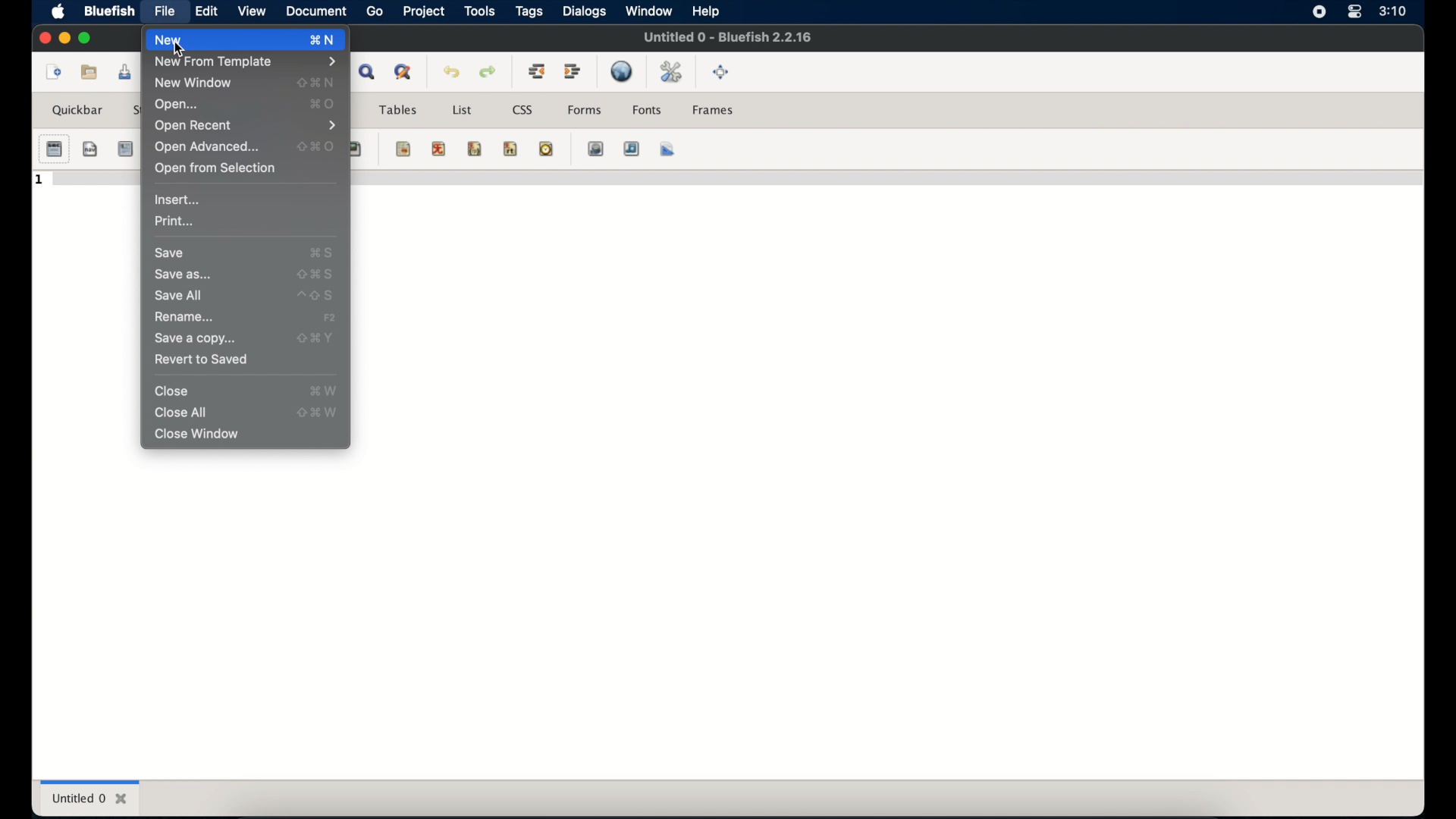 This screenshot has height=819, width=1456. What do you see at coordinates (1319, 13) in the screenshot?
I see `screen recorder icon` at bounding box center [1319, 13].